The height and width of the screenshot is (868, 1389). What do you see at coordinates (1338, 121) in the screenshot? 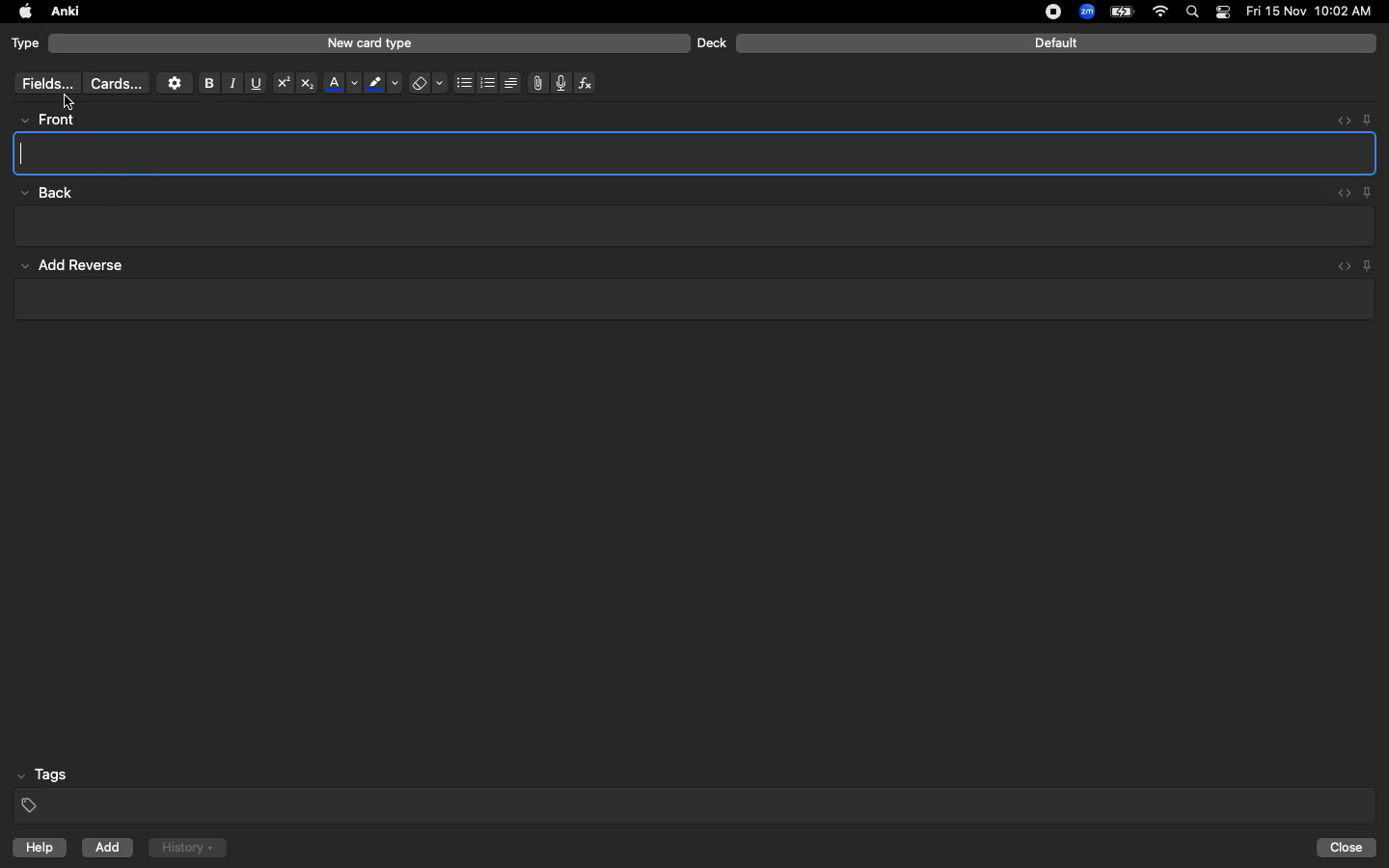
I see `Embed` at bounding box center [1338, 121].